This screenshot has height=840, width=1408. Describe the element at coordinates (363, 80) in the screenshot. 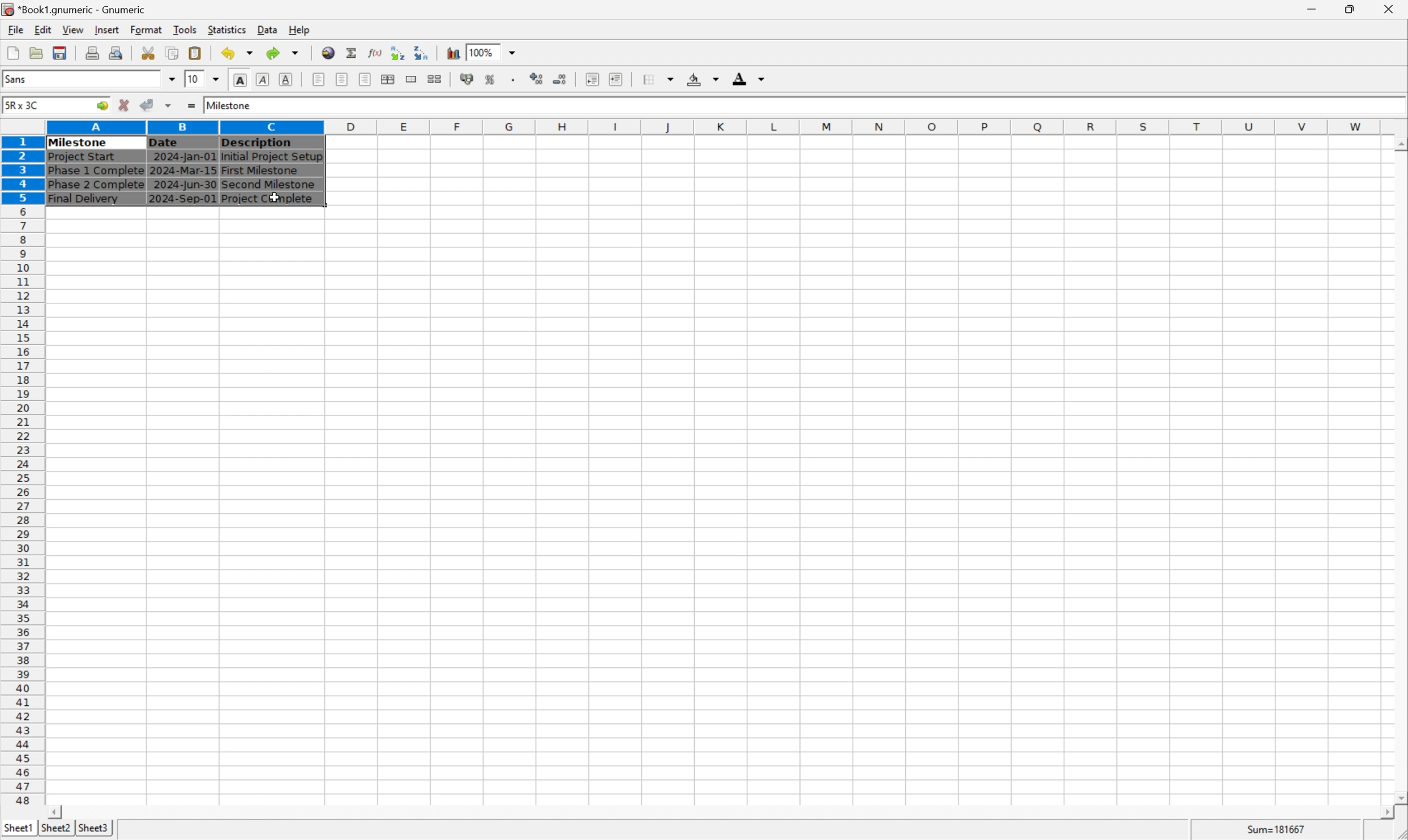

I see `align right` at that location.